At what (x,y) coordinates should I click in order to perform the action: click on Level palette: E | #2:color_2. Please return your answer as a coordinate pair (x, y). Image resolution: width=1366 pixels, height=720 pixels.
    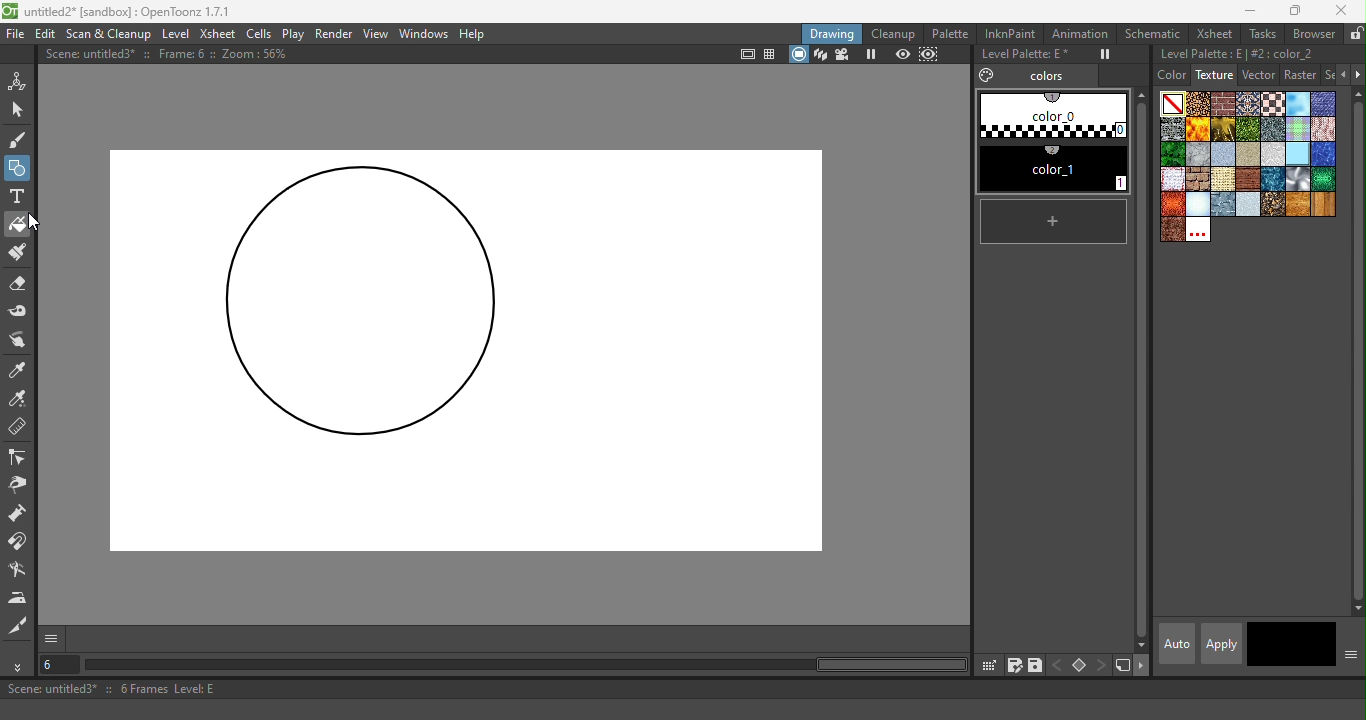
    Looking at the image, I should click on (1257, 54).